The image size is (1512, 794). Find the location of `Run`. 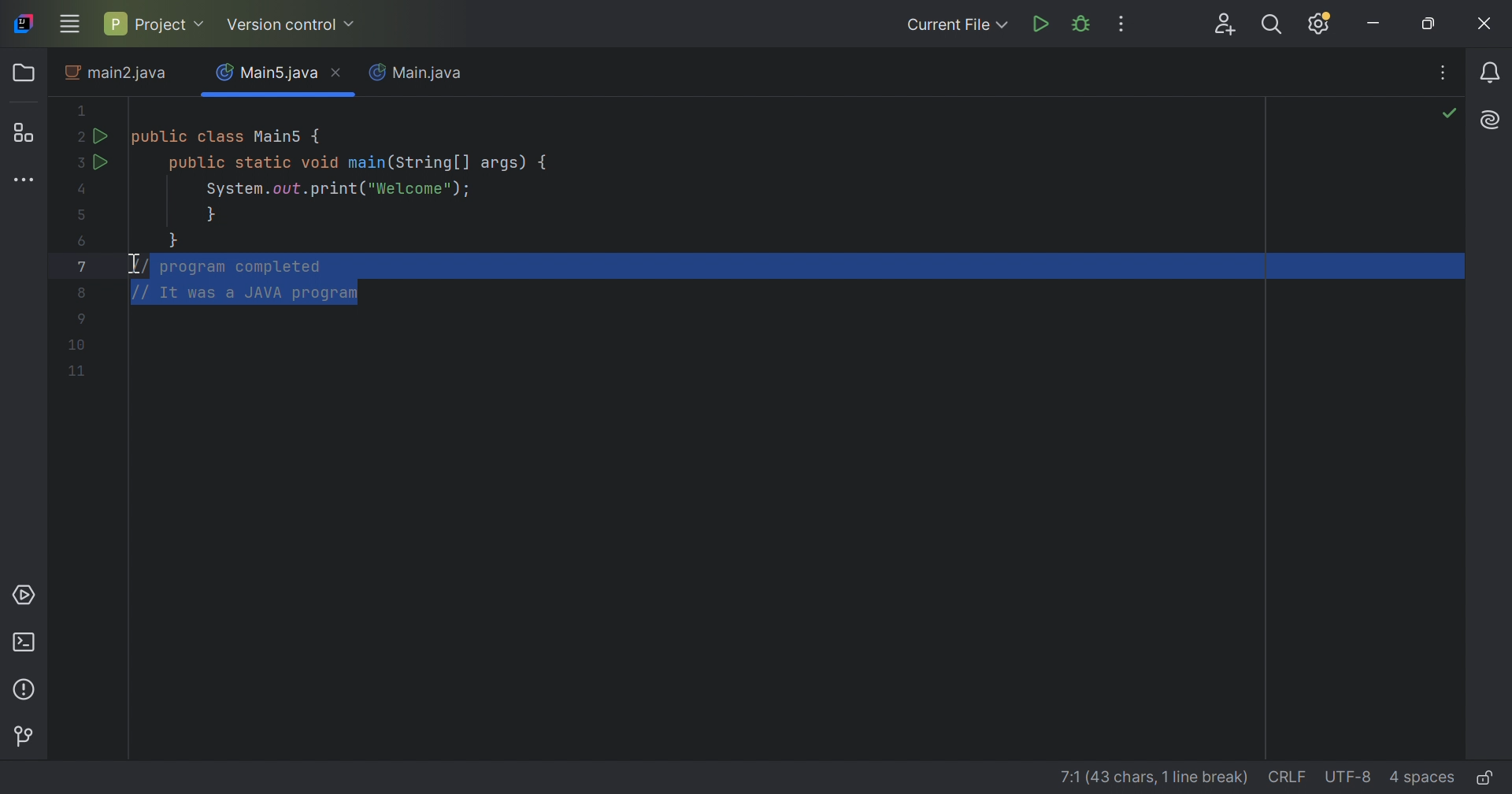

Run is located at coordinates (1043, 24).